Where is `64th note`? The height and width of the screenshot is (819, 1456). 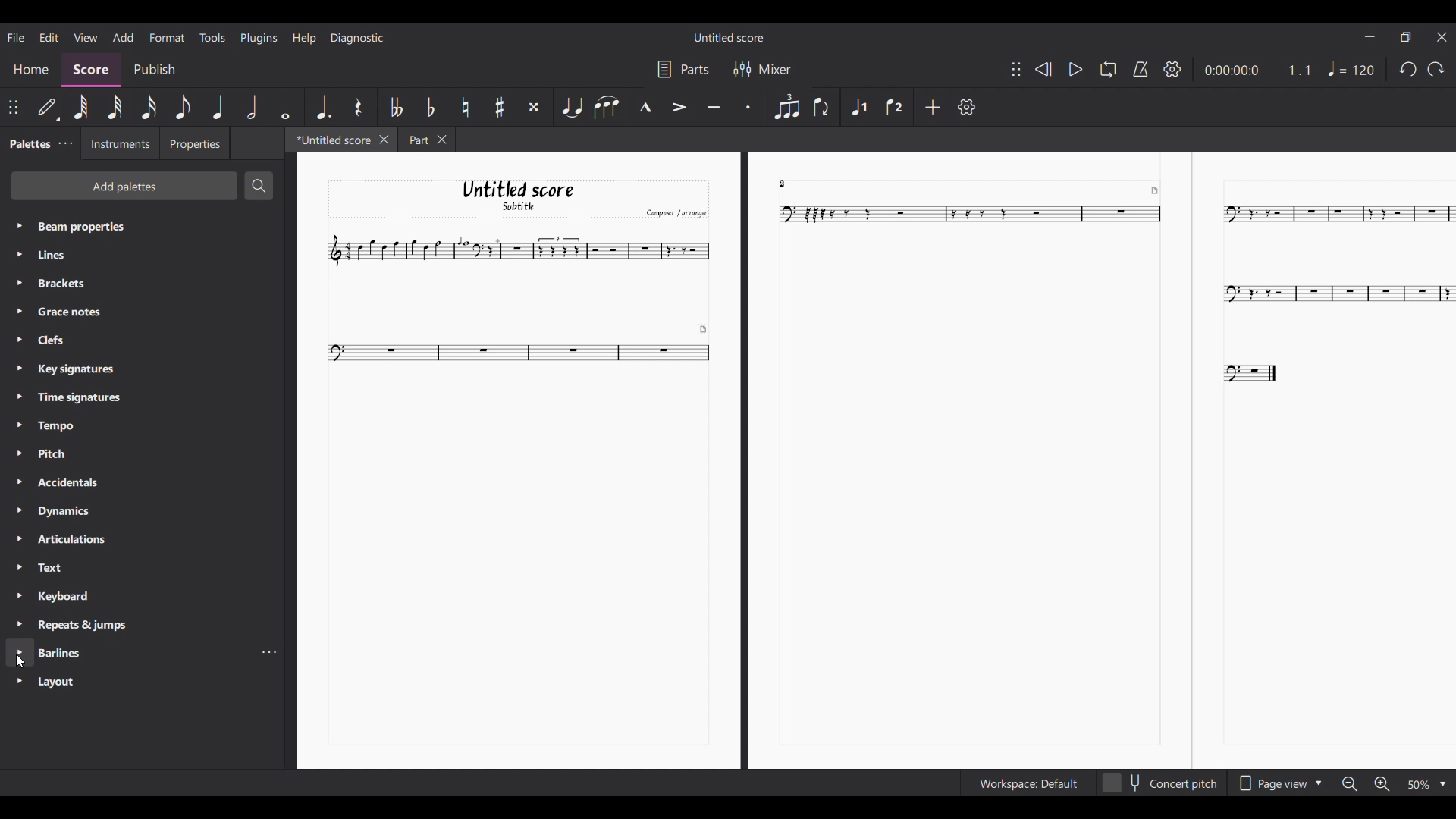
64th note is located at coordinates (82, 108).